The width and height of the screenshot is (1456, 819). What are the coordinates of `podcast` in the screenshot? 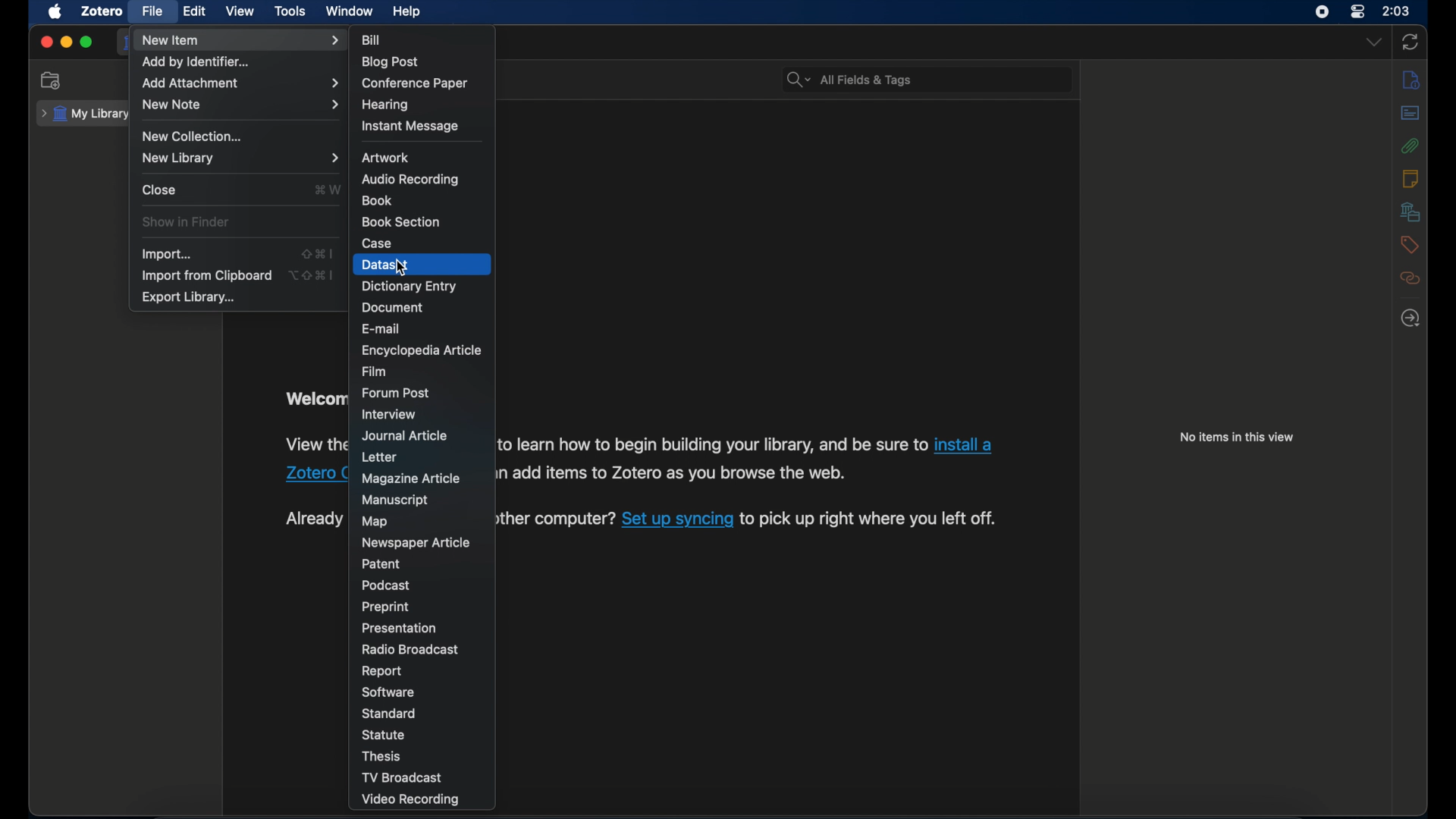 It's located at (386, 585).